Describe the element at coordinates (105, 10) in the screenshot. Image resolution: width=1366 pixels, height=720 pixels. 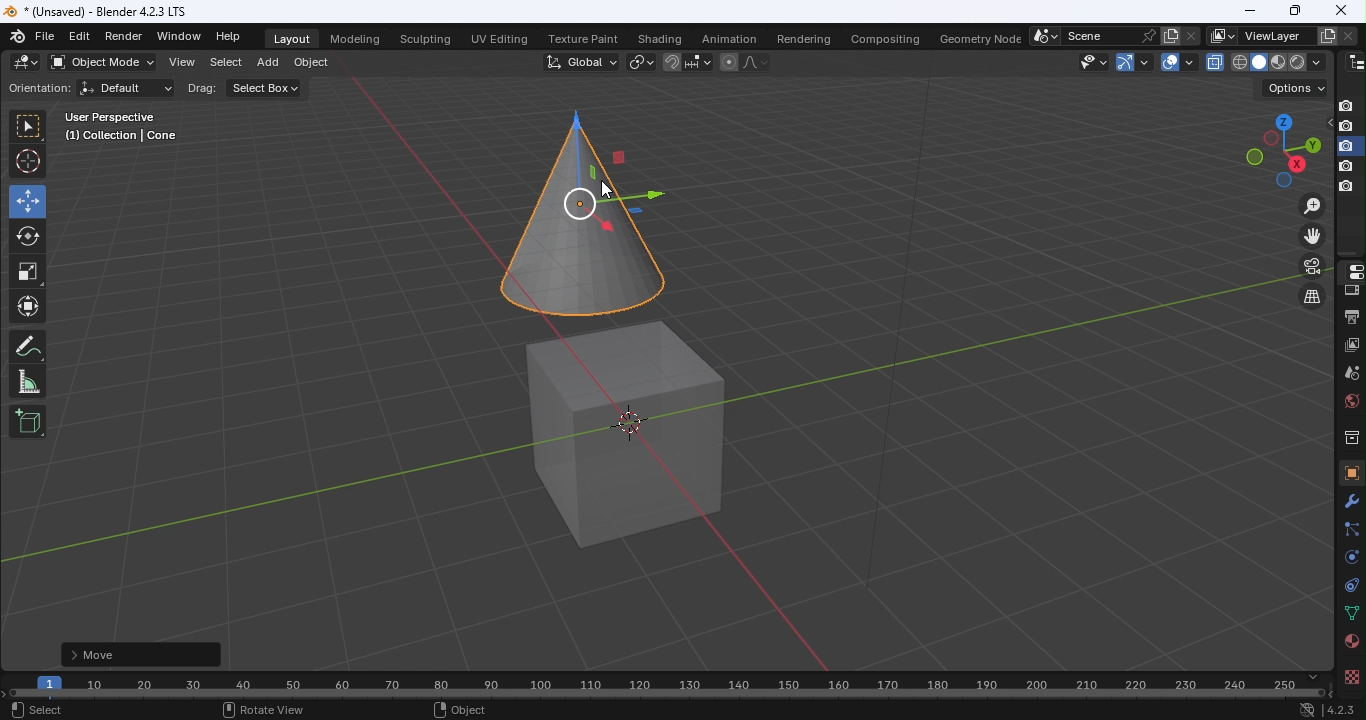
I see `Document name` at that location.